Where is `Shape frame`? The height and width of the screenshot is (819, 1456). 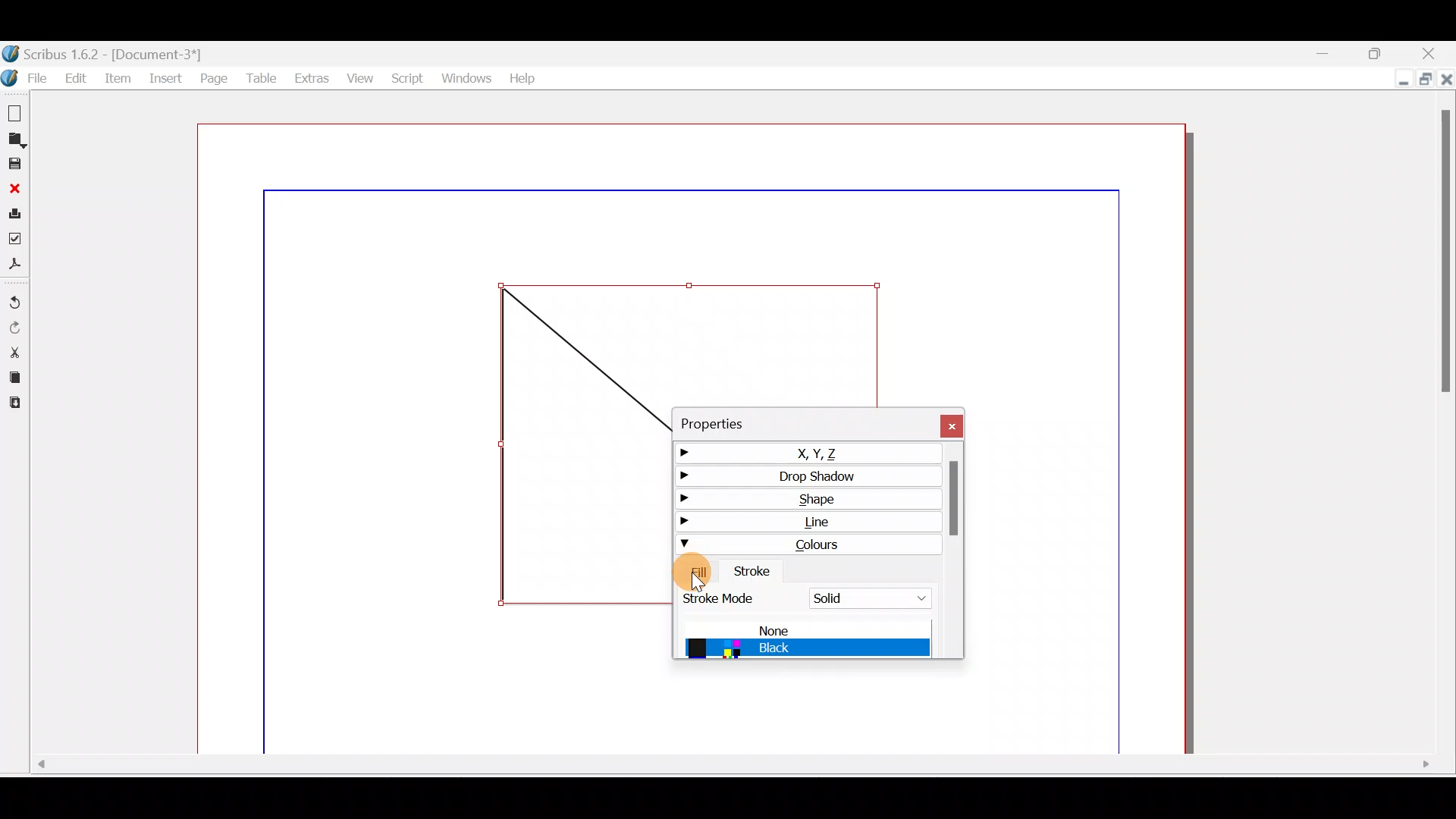 Shape frame is located at coordinates (580, 447).